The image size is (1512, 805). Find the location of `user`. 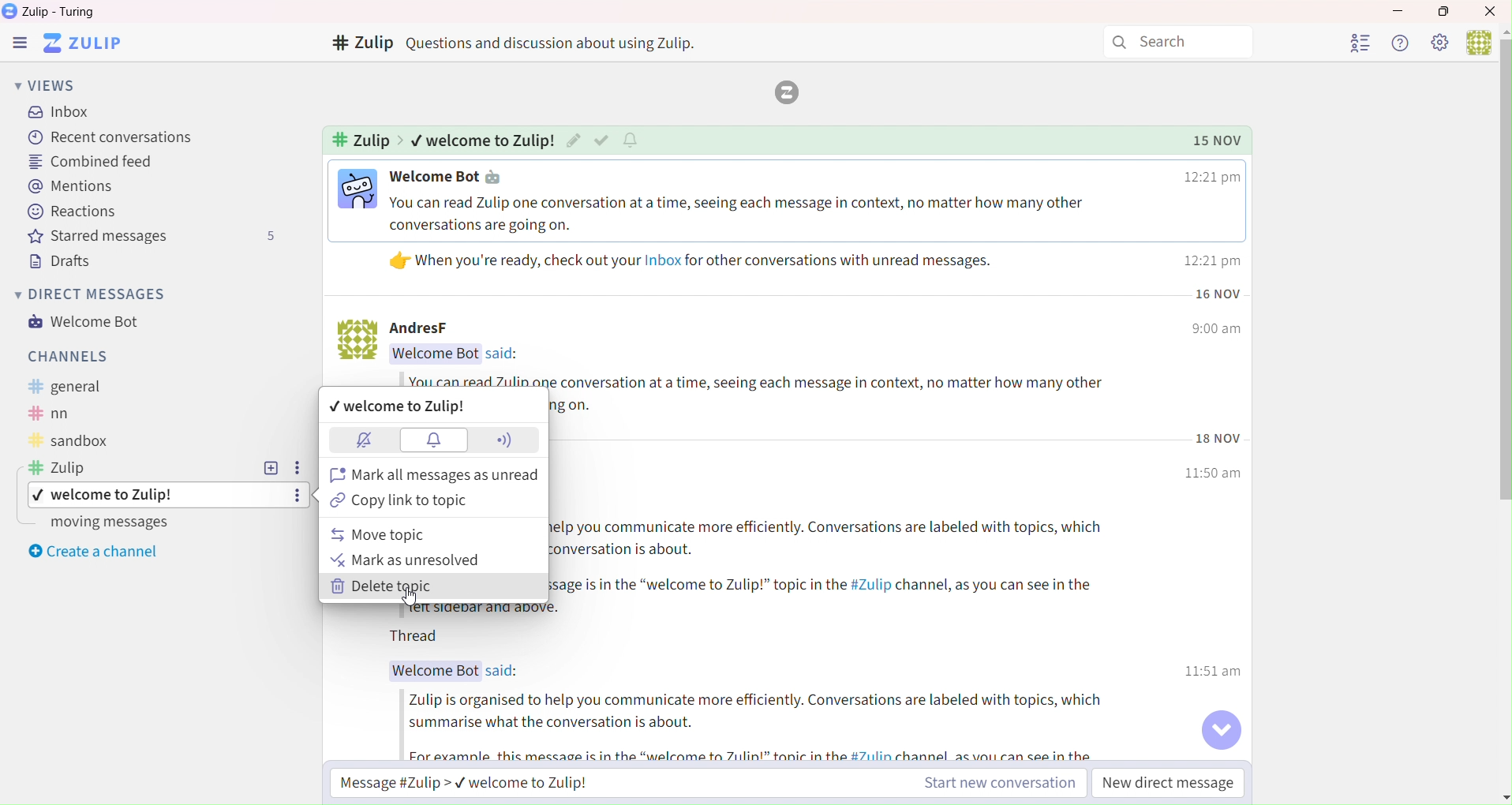

user is located at coordinates (1476, 47).